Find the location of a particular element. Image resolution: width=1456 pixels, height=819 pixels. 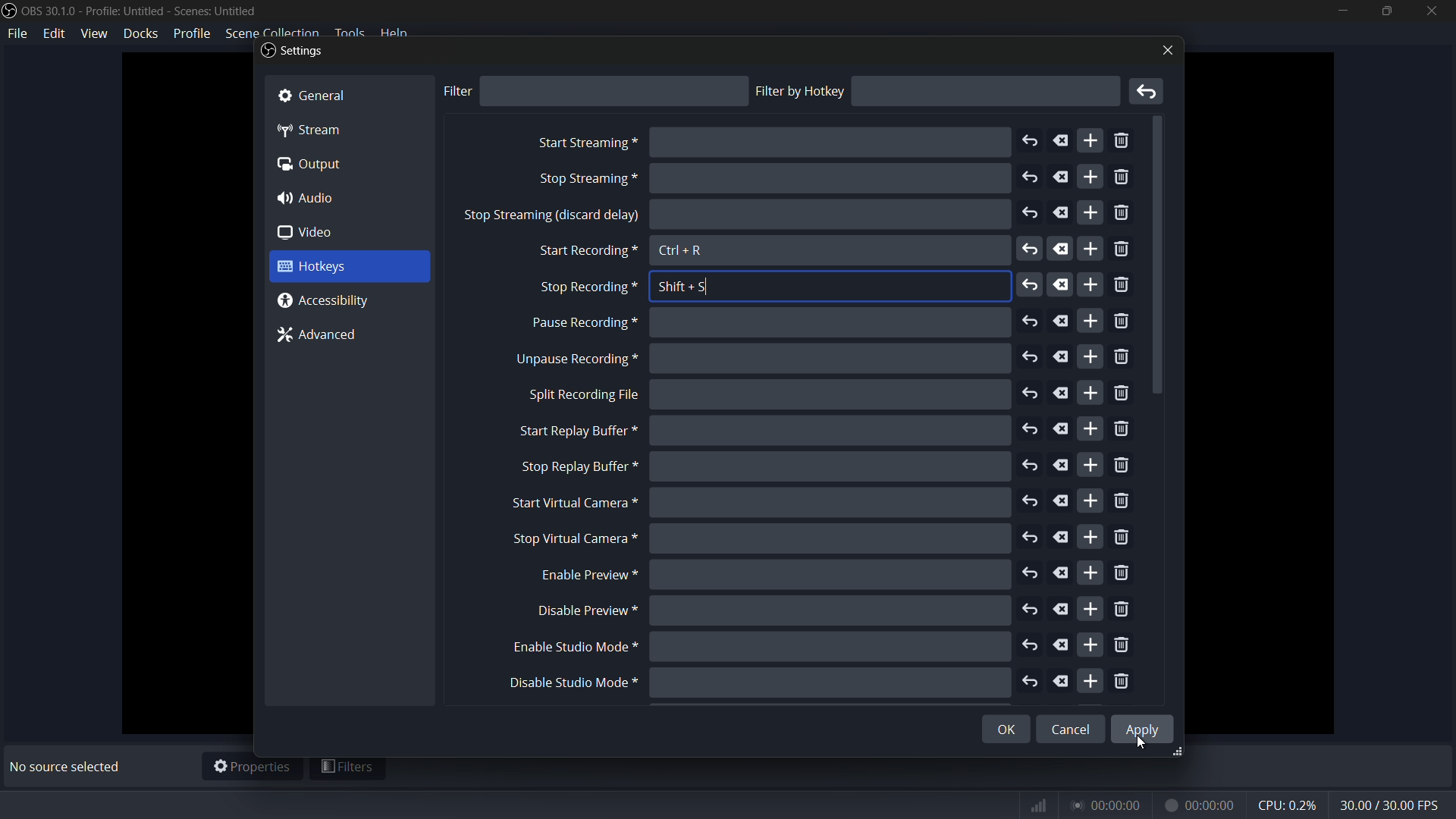

delete is located at coordinates (1063, 249).